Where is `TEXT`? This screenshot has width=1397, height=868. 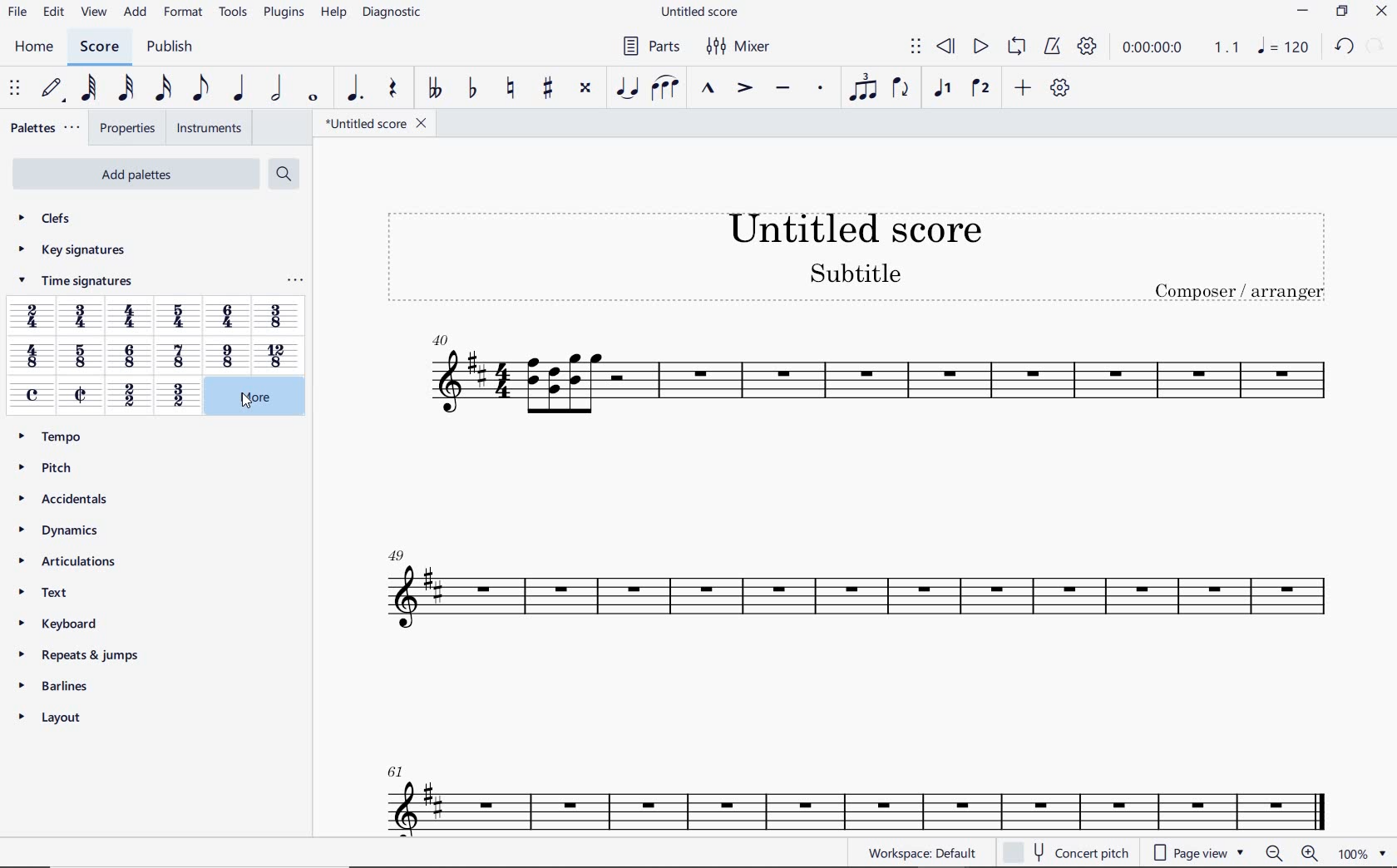
TEXT is located at coordinates (50, 591).